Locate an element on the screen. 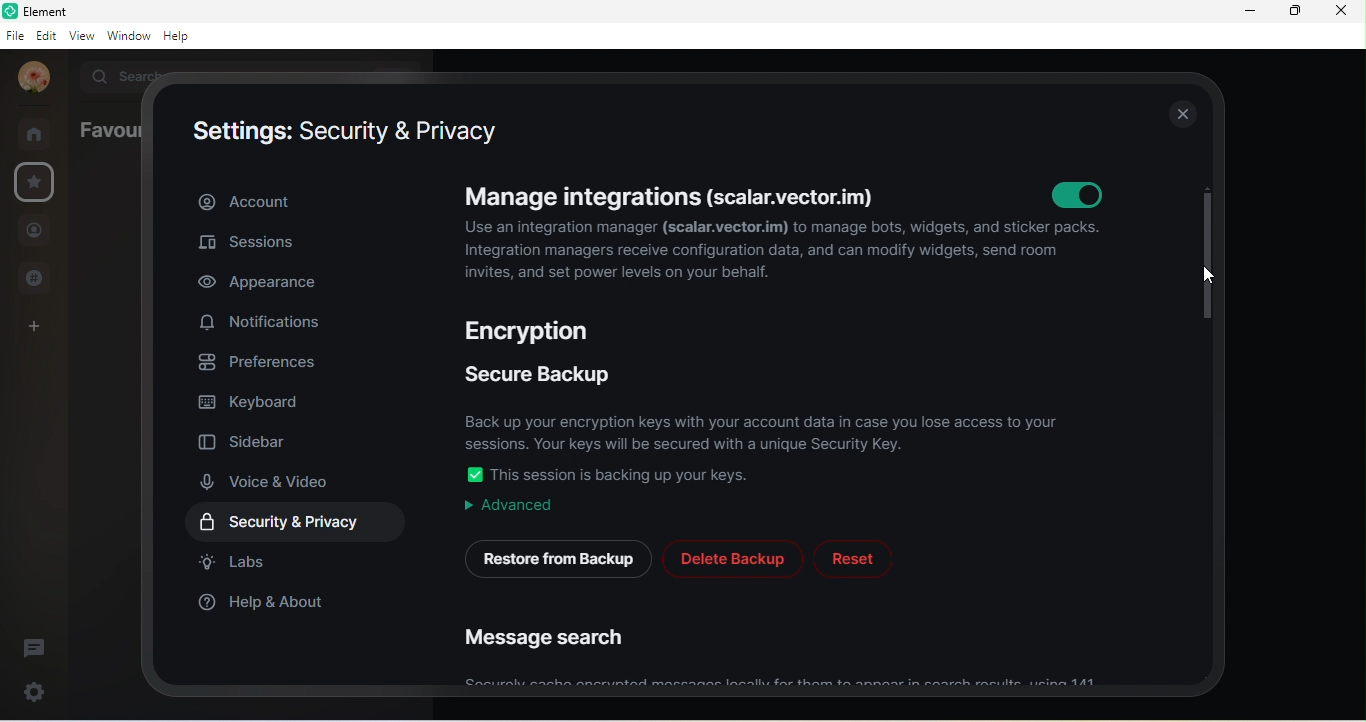 This screenshot has width=1366, height=722. security and privacy is located at coordinates (302, 522).